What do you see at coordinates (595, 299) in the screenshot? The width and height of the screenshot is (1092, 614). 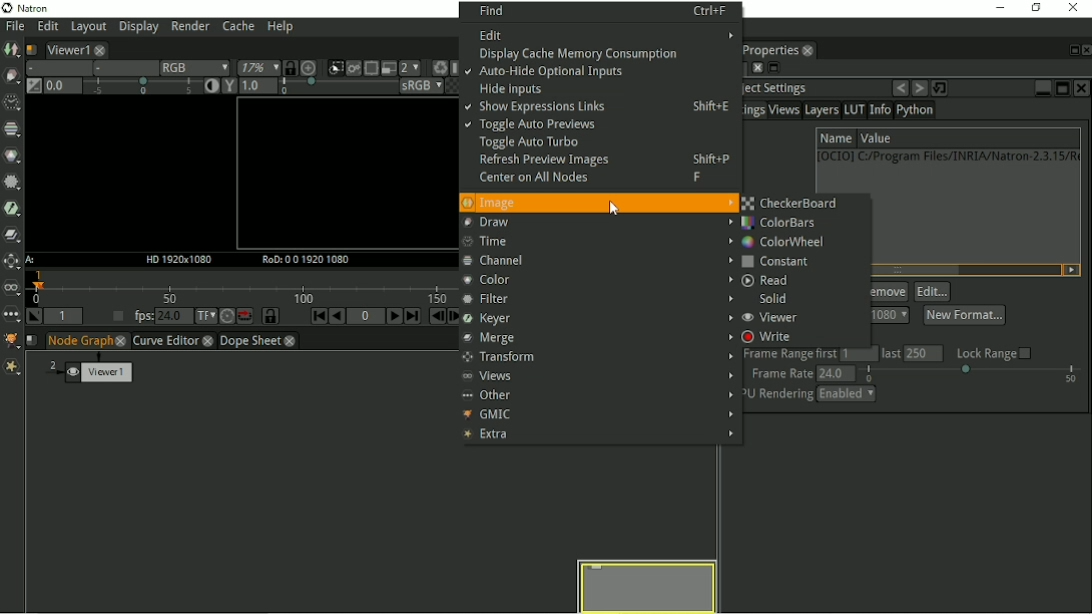 I see `Filter` at bounding box center [595, 299].